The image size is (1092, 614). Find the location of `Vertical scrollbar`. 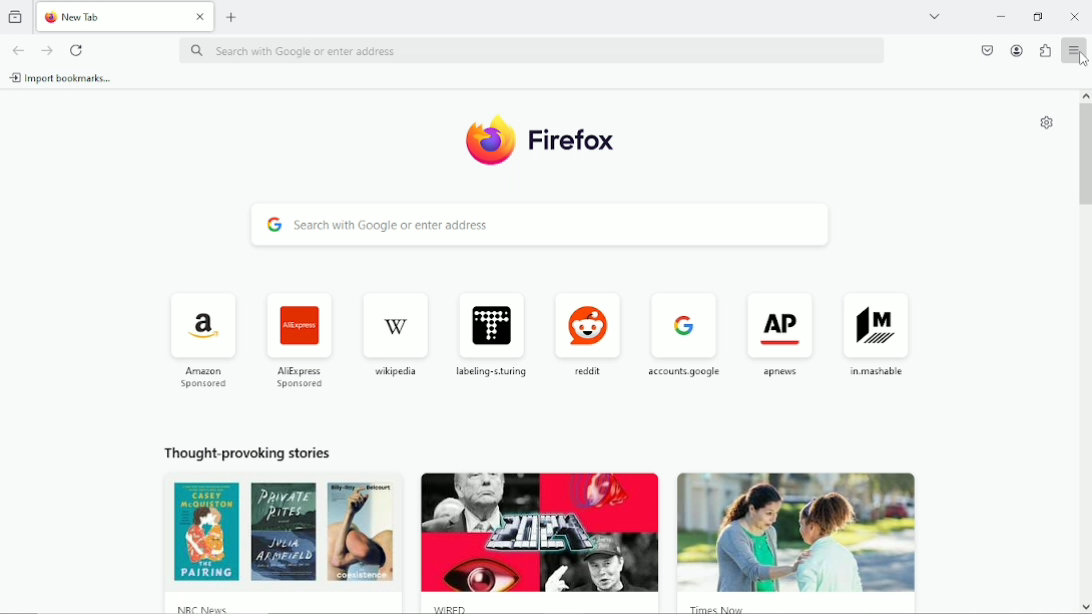

Vertical scrollbar is located at coordinates (1084, 155).